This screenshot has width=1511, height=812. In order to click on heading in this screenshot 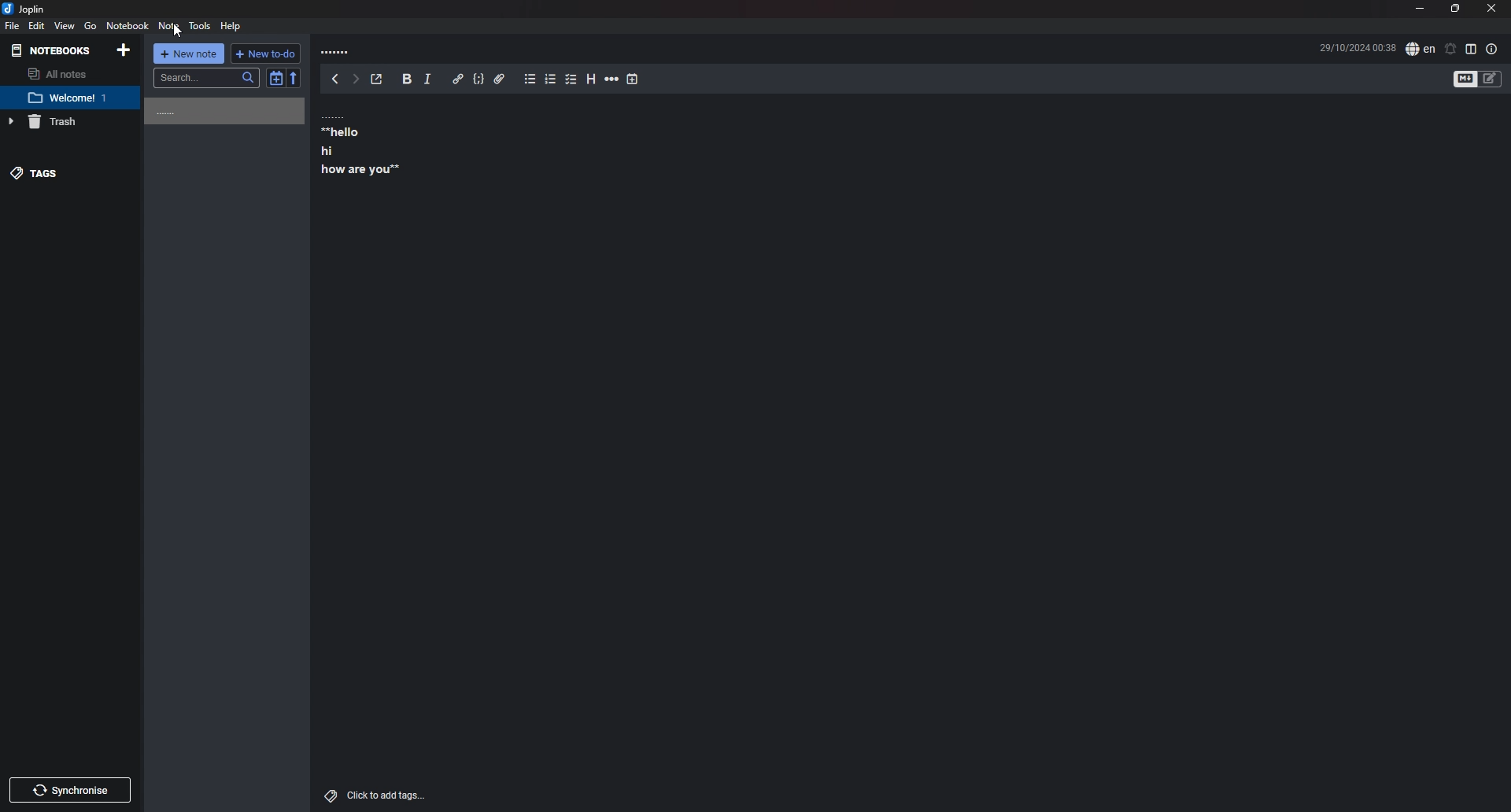, I will do `click(590, 79)`.